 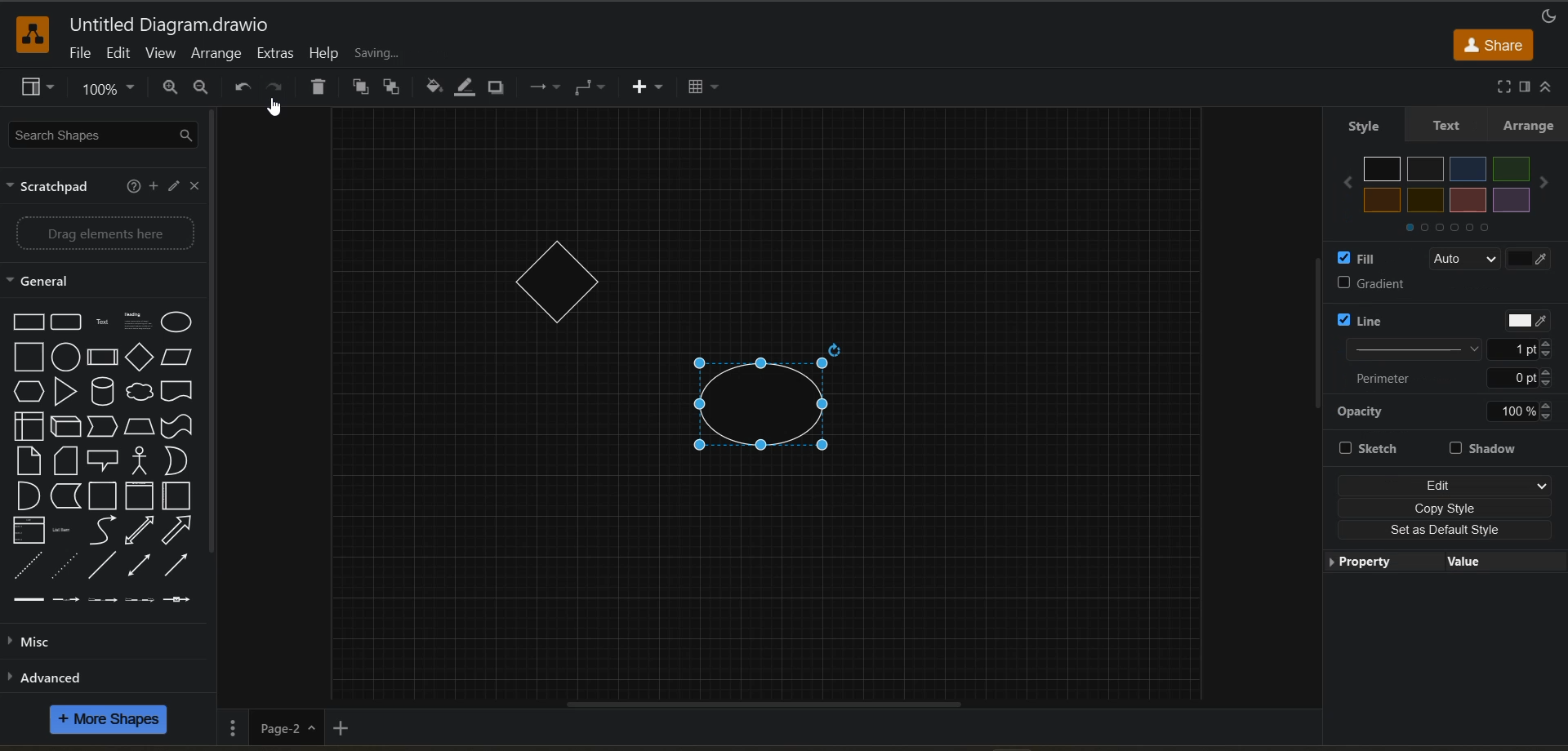 What do you see at coordinates (1449, 336) in the screenshot?
I see `line` at bounding box center [1449, 336].